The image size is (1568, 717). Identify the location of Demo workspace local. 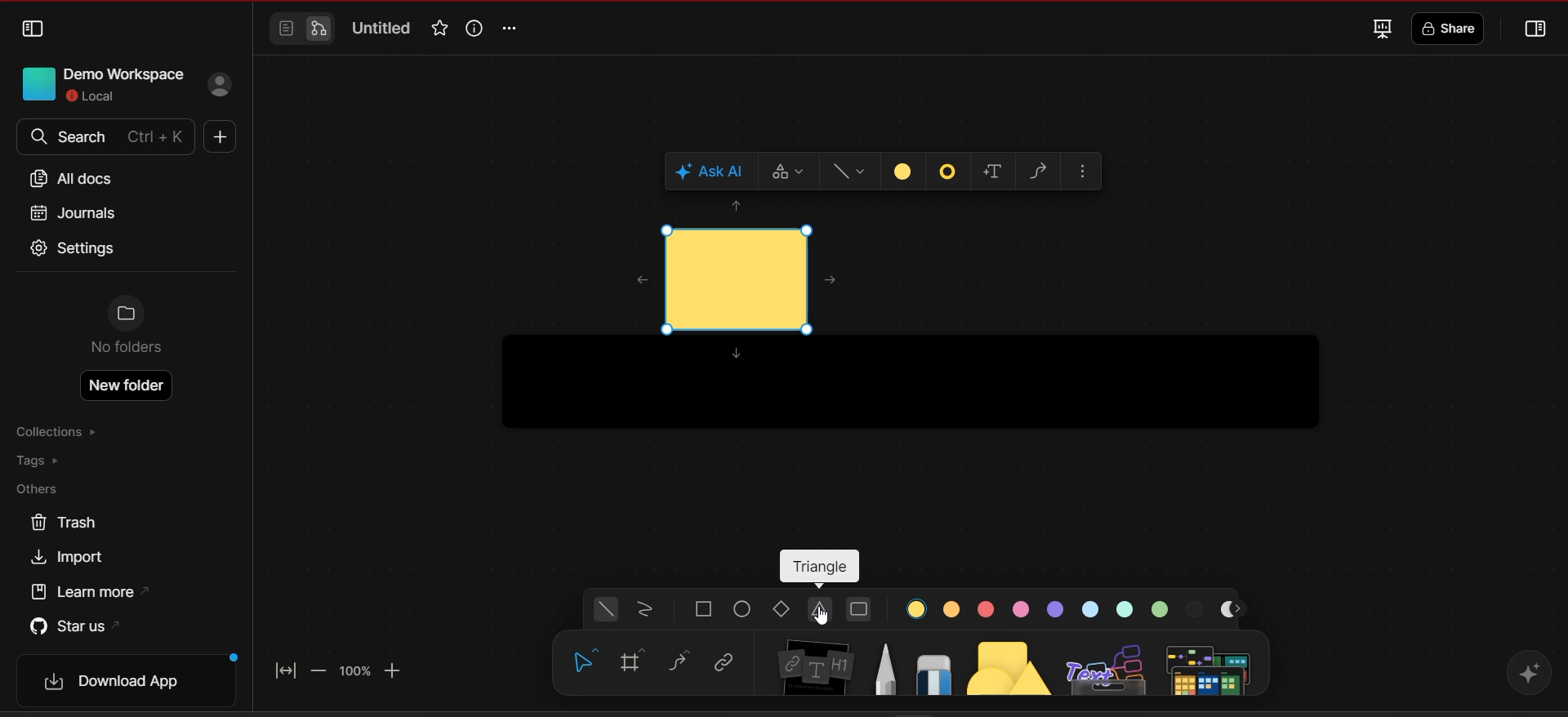
(97, 82).